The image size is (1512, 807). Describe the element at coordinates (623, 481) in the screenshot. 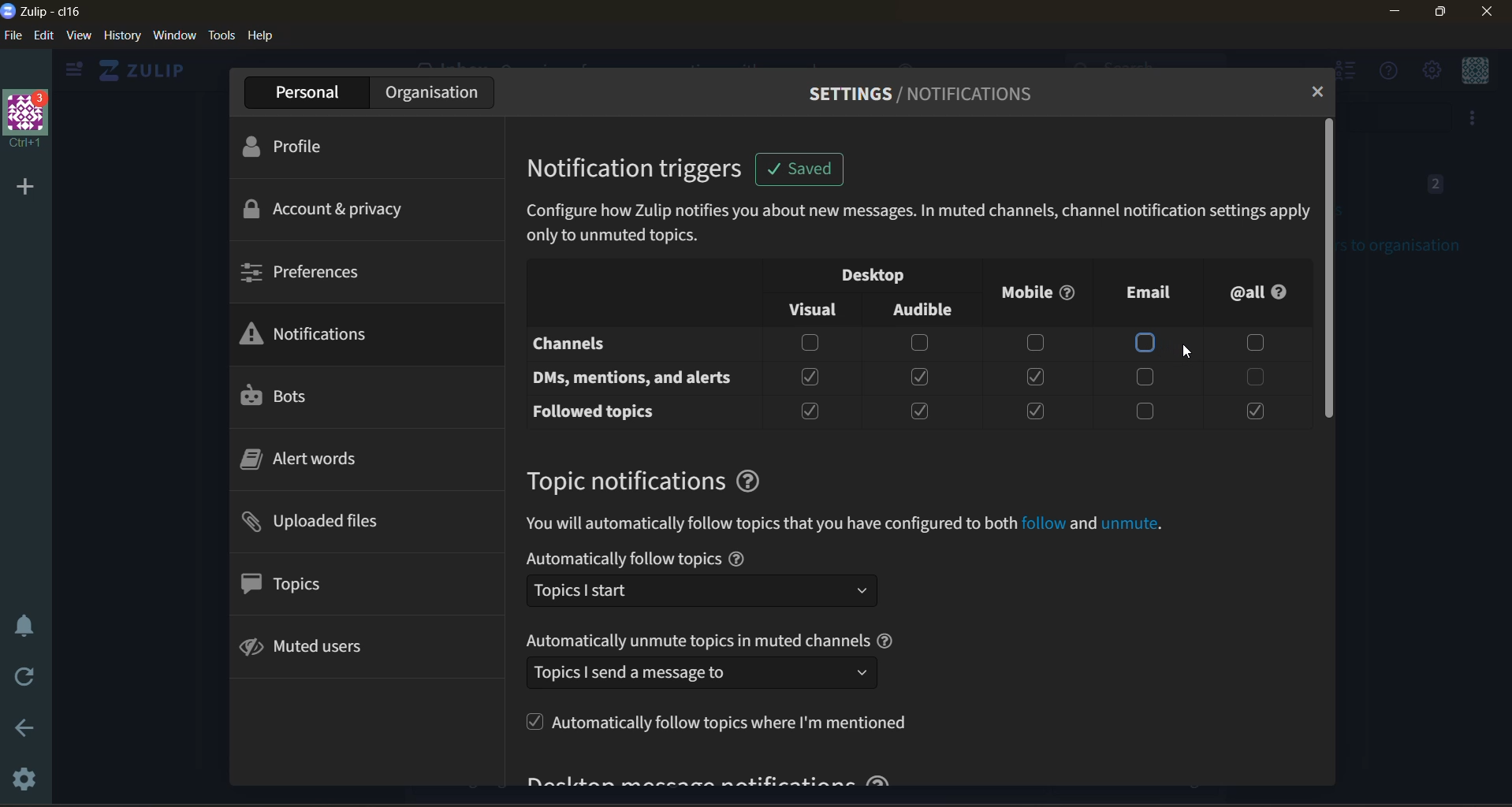

I see `topic notifications` at that location.